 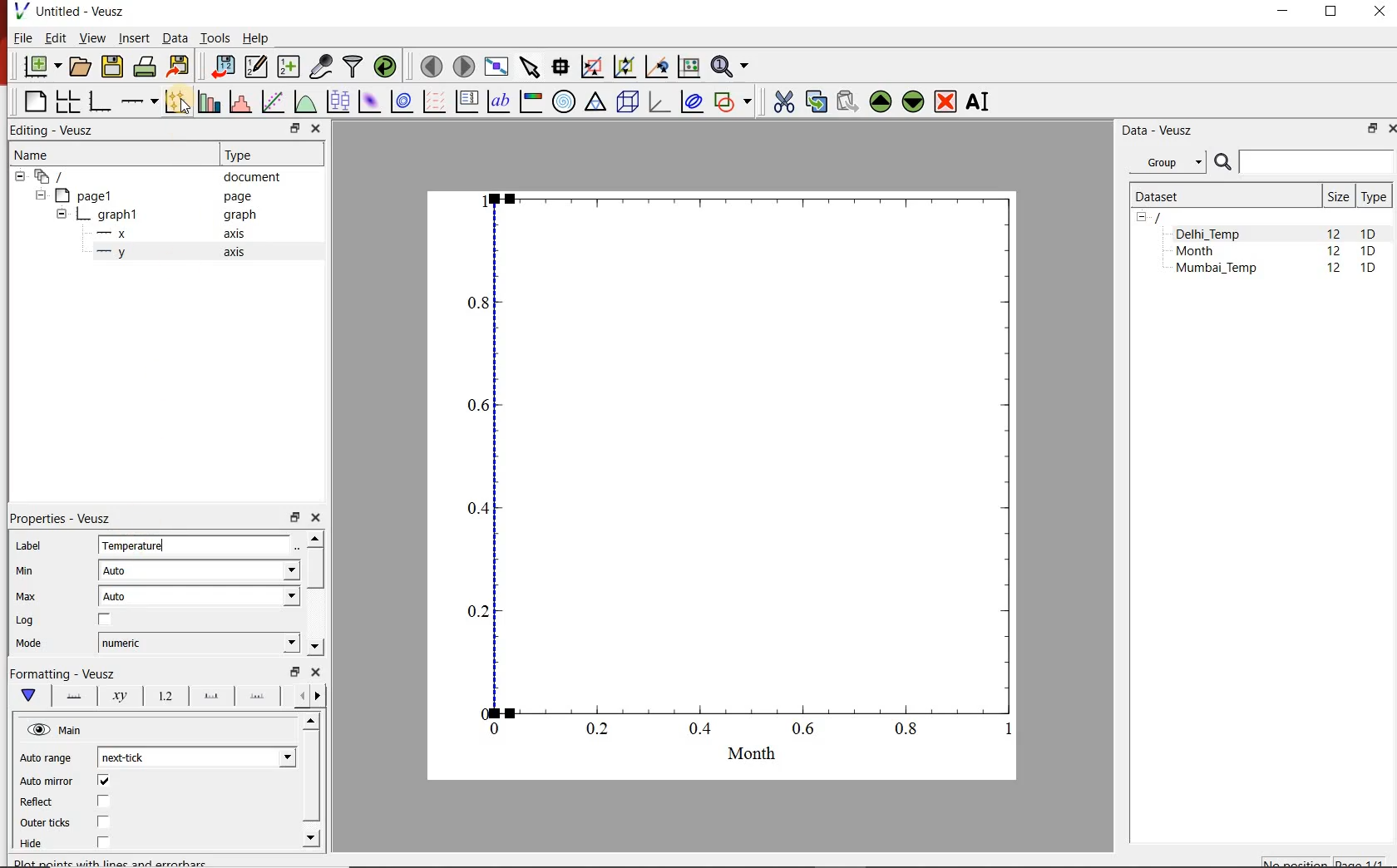 I want to click on 1D, so click(x=1369, y=234).